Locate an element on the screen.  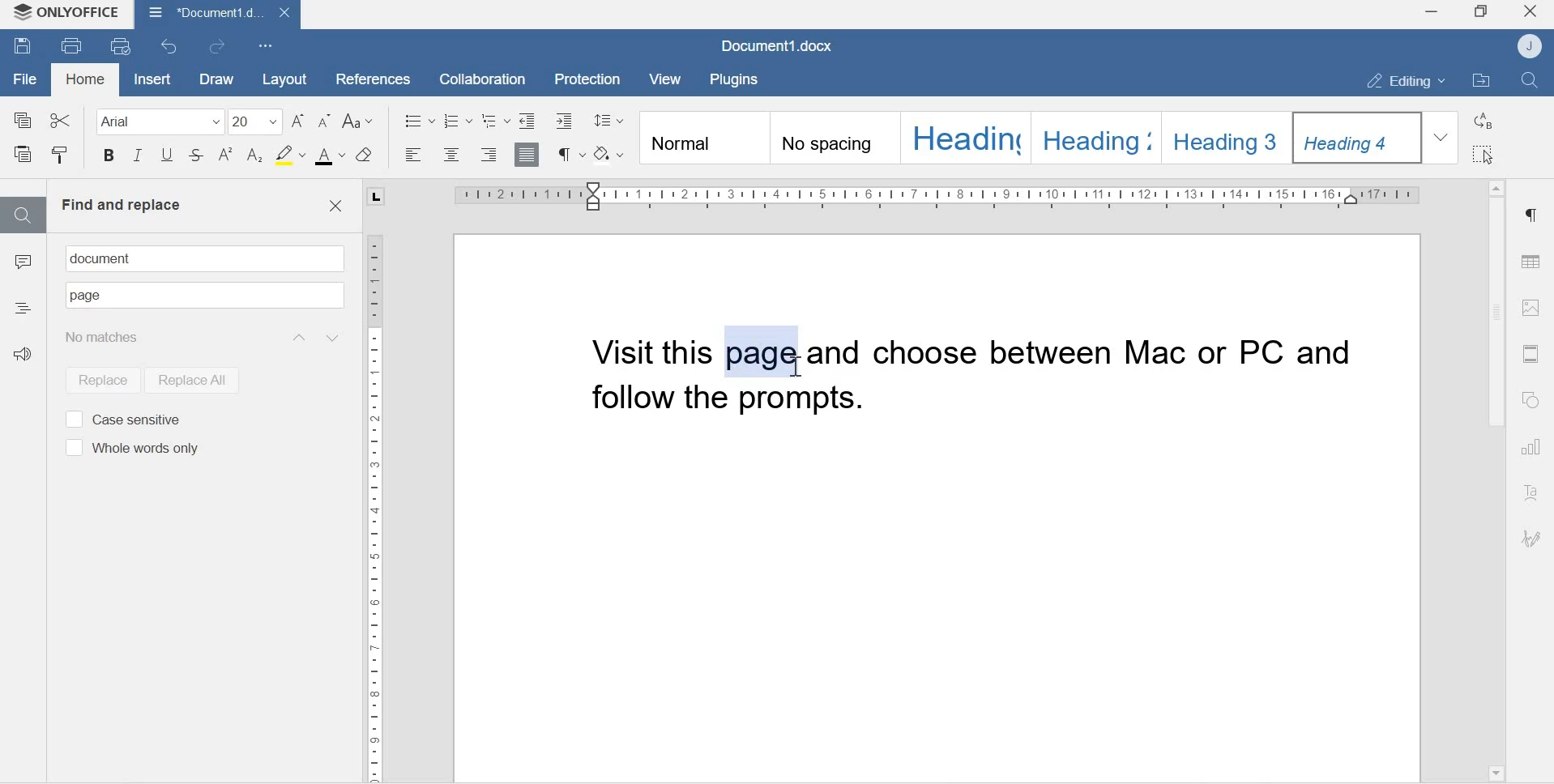
Increment font size is located at coordinates (300, 121).